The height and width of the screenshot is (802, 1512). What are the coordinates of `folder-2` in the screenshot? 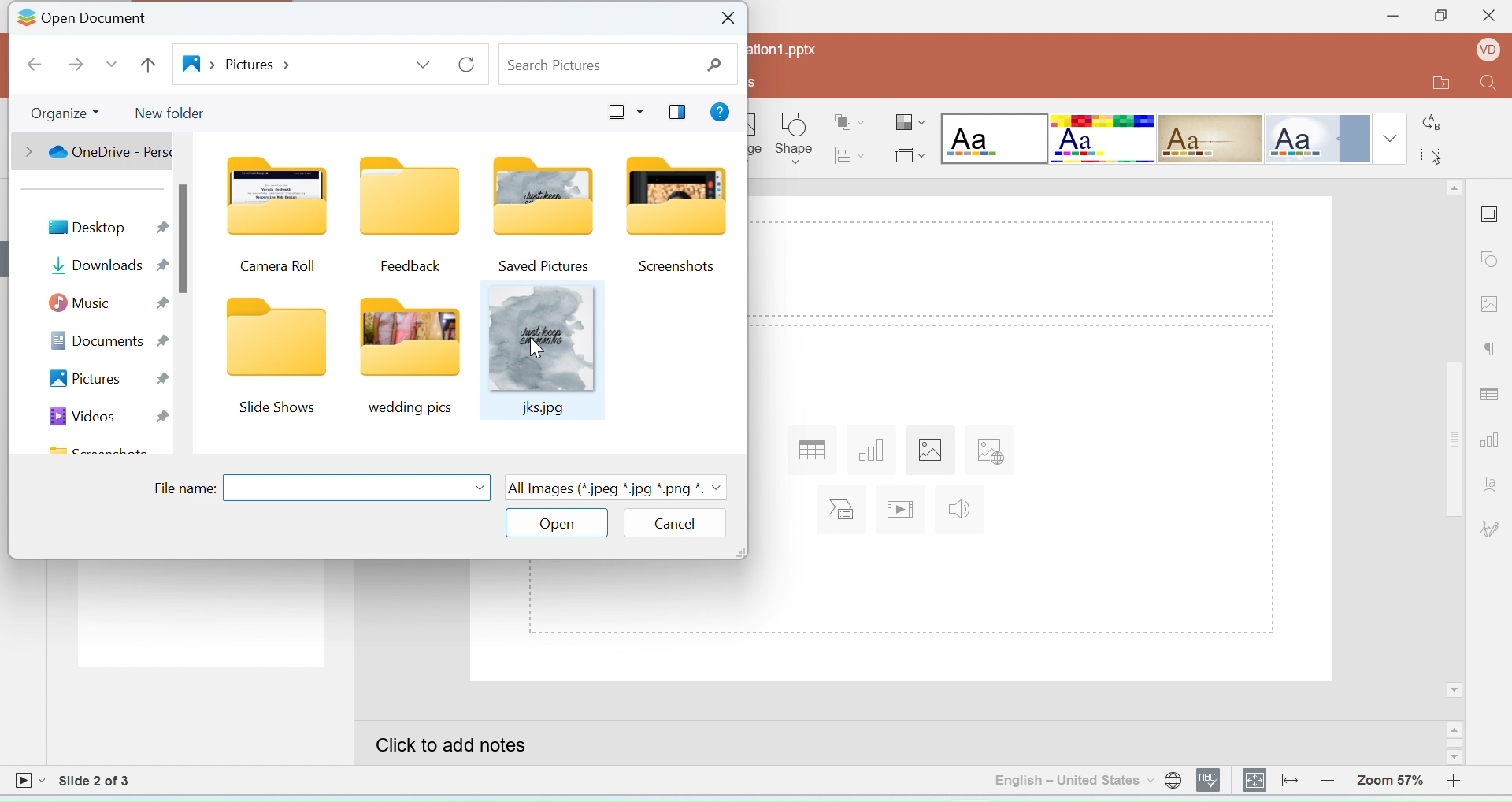 It's located at (407, 215).